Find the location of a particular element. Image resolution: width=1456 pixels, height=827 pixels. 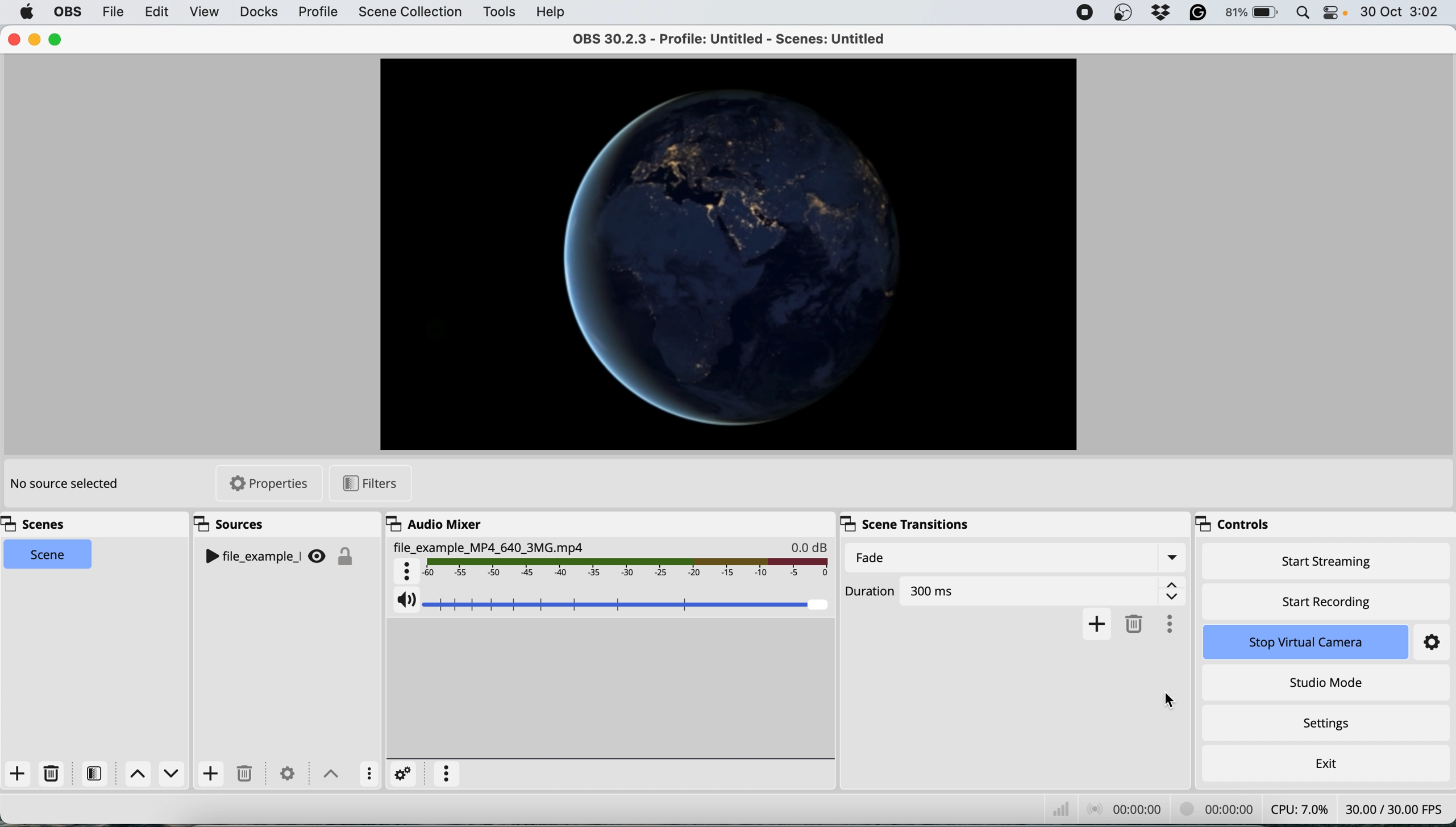

spotlight search is located at coordinates (1301, 12).